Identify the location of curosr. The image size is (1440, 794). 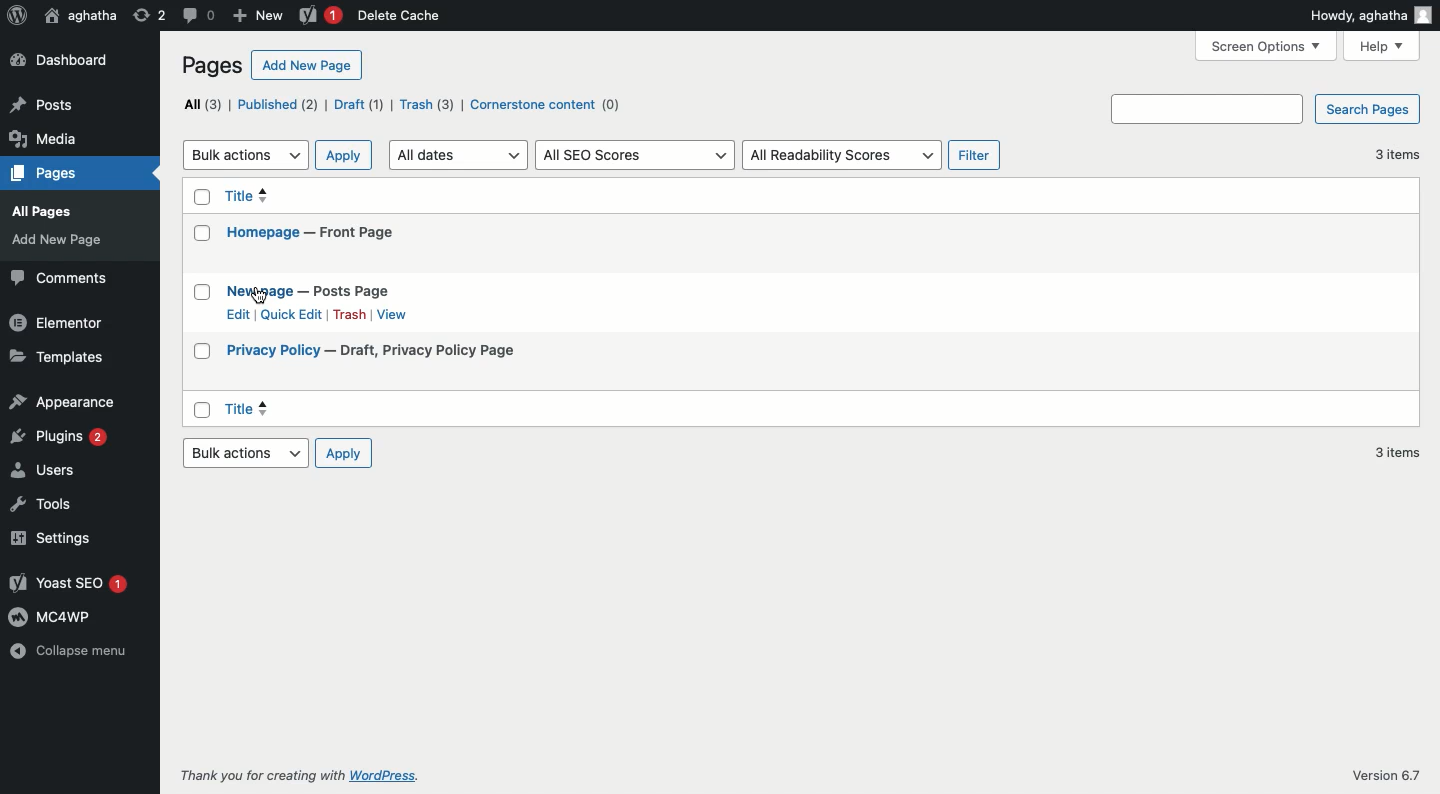
(261, 295).